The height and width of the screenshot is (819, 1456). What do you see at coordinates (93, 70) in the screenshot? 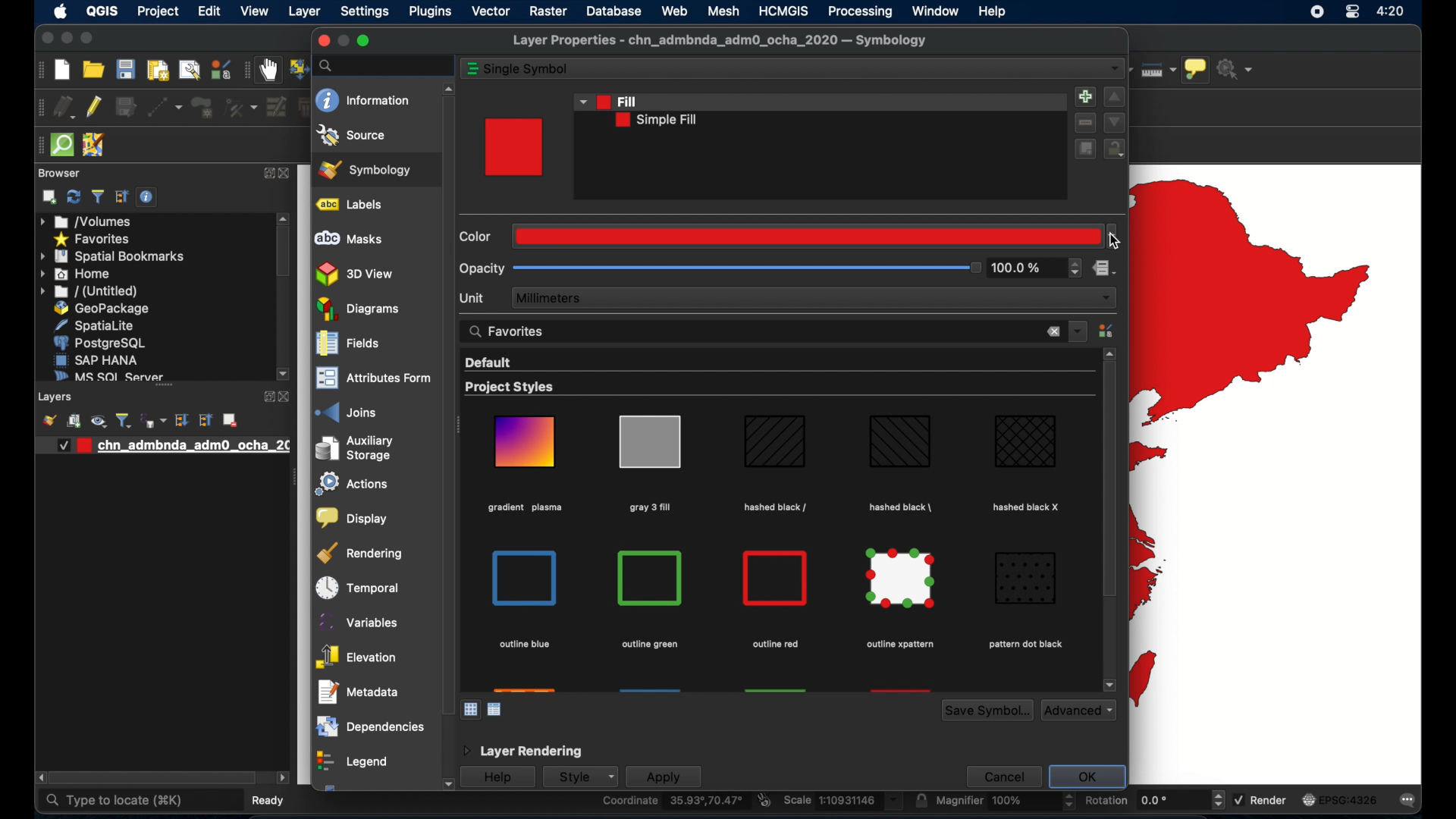
I see `open project ` at bounding box center [93, 70].